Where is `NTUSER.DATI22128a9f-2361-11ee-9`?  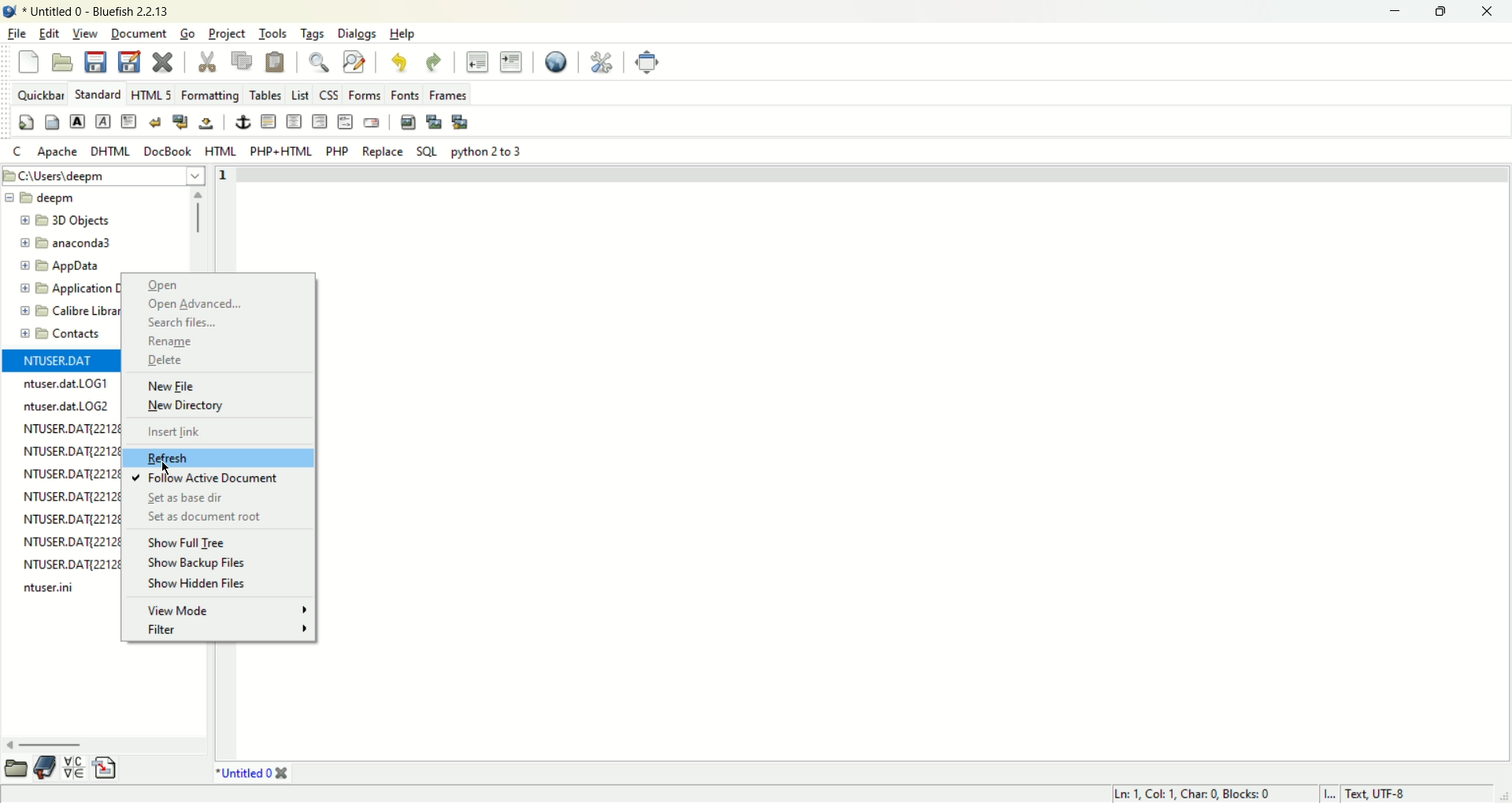
NTUSER.DATI22128a9f-2361-11ee-9 is located at coordinates (70, 427).